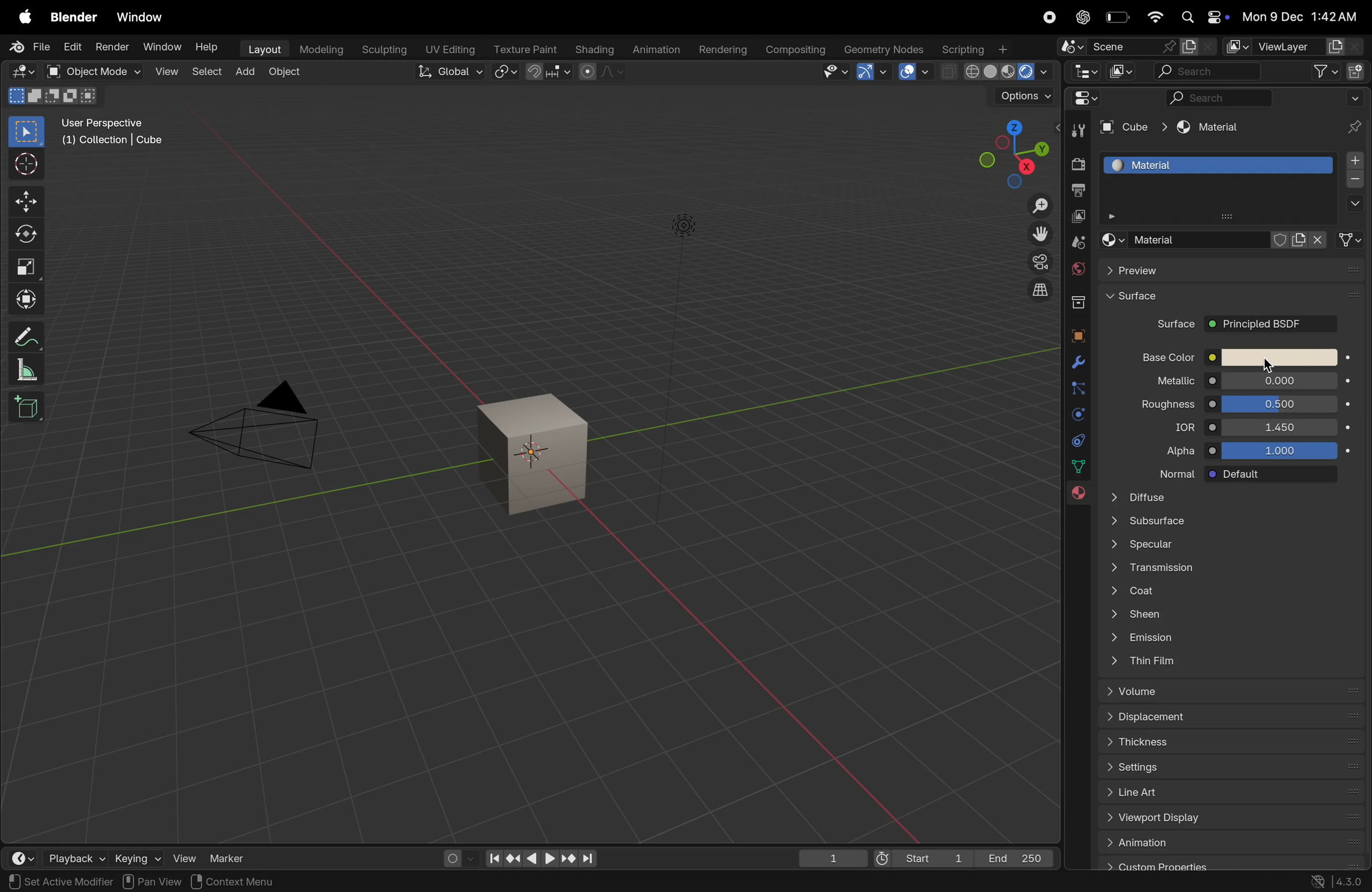  I want to click on modifiers, so click(1078, 363).